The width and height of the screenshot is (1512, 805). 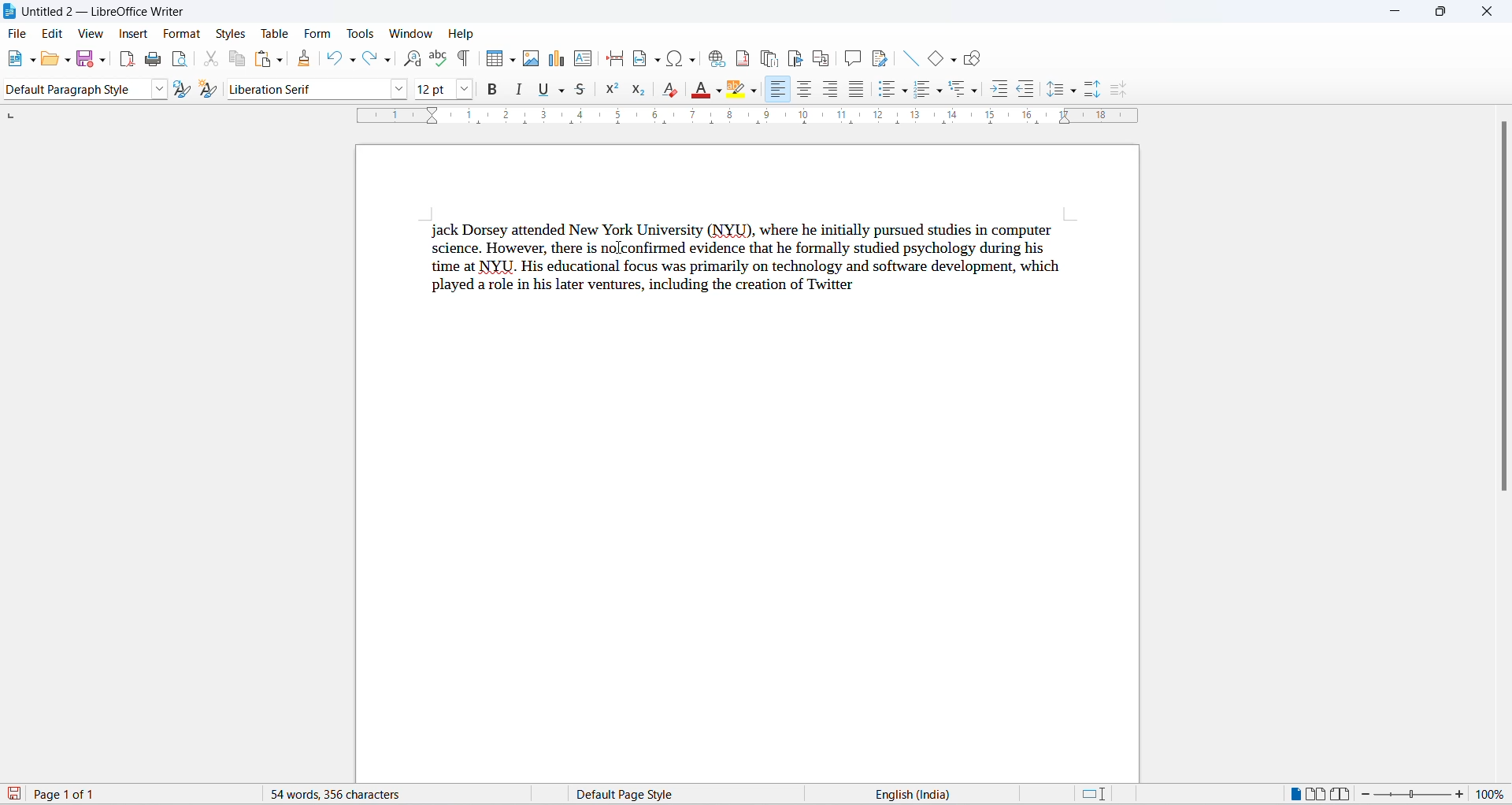 I want to click on scaling, so click(x=776, y=119).